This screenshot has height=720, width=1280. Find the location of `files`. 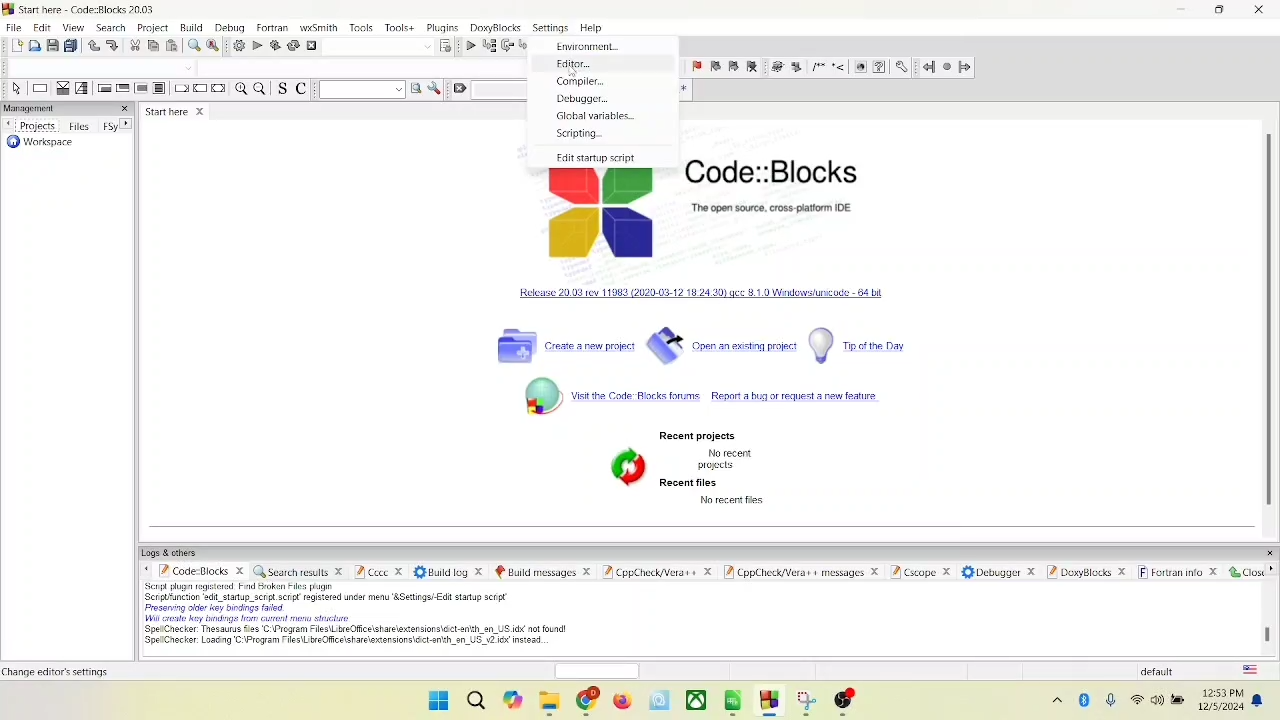

files is located at coordinates (81, 127).